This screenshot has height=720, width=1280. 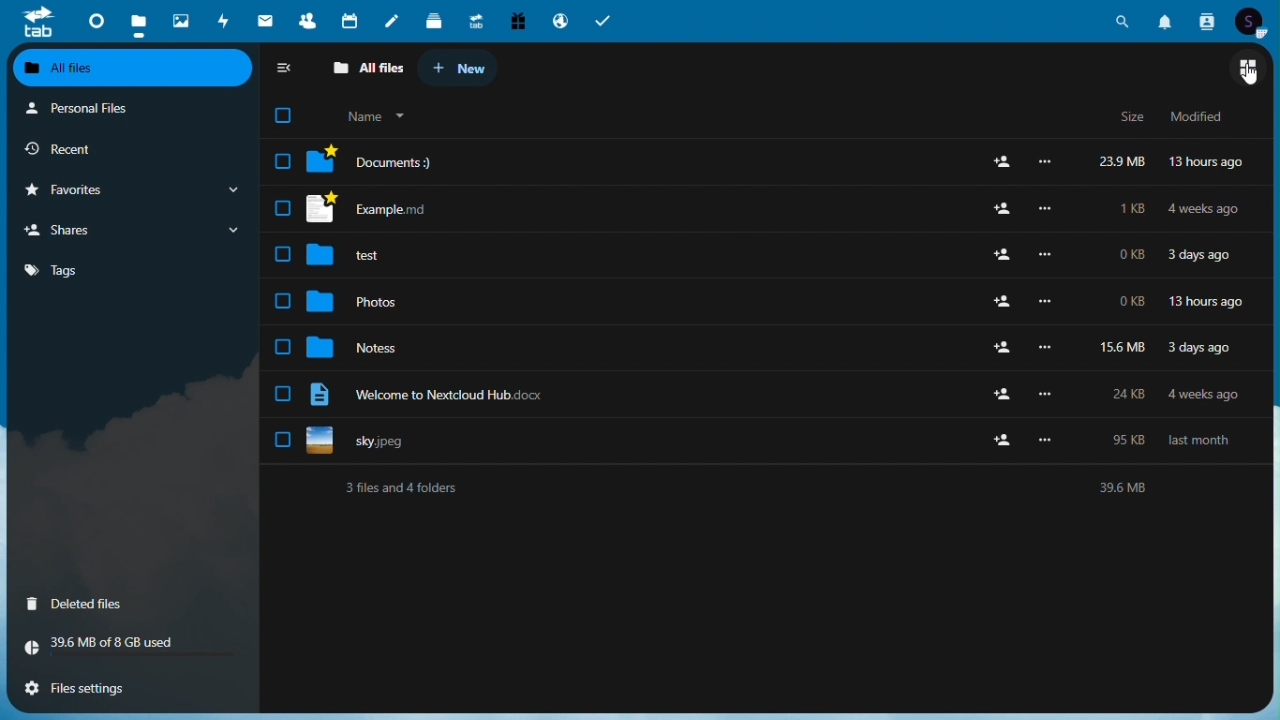 What do you see at coordinates (179, 17) in the screenshot?
I see `photos` at bounding box center [179, 17].